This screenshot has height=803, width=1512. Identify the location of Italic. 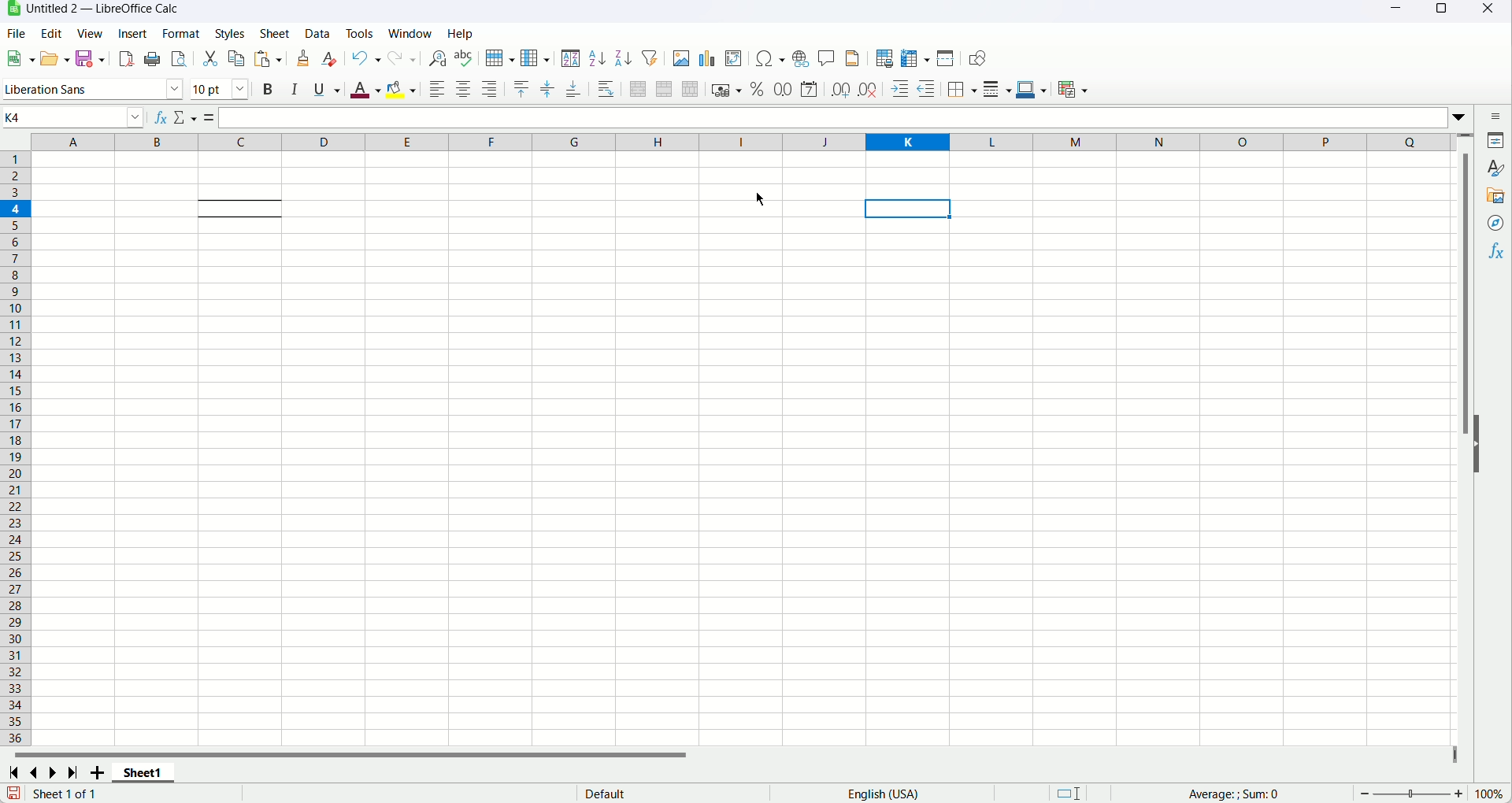
(295, 90).